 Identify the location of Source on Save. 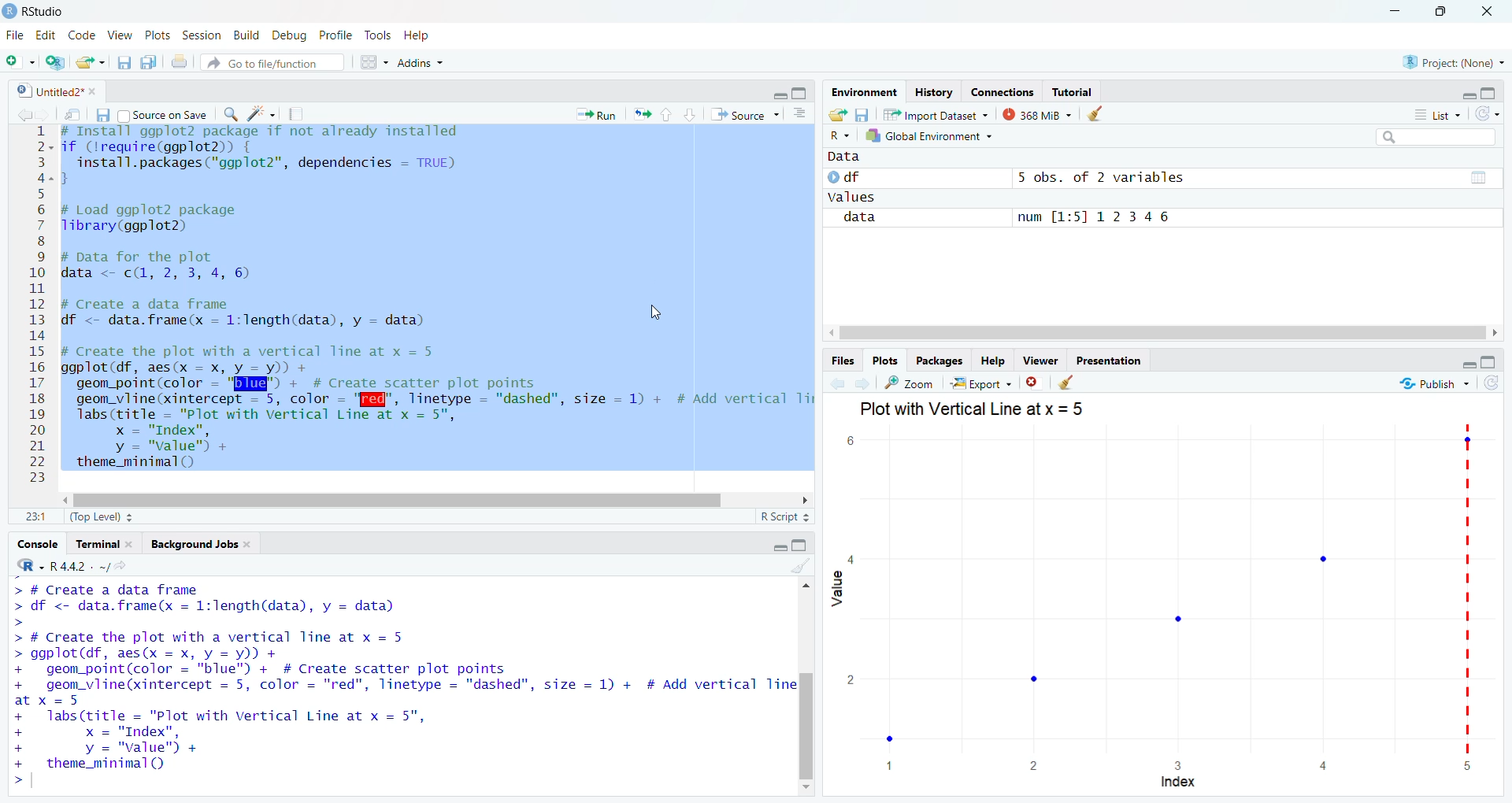
(163, 113).